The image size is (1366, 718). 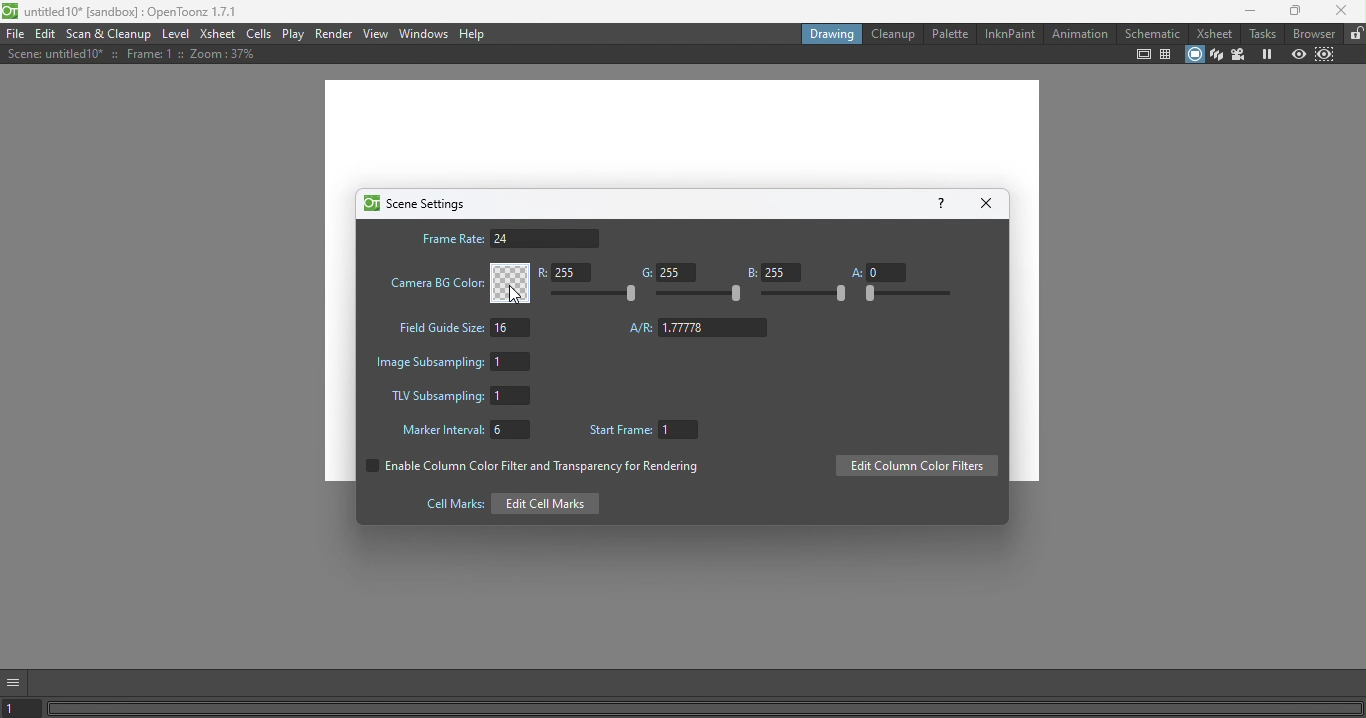 I want to click on Render, so click(x=335, y=33).